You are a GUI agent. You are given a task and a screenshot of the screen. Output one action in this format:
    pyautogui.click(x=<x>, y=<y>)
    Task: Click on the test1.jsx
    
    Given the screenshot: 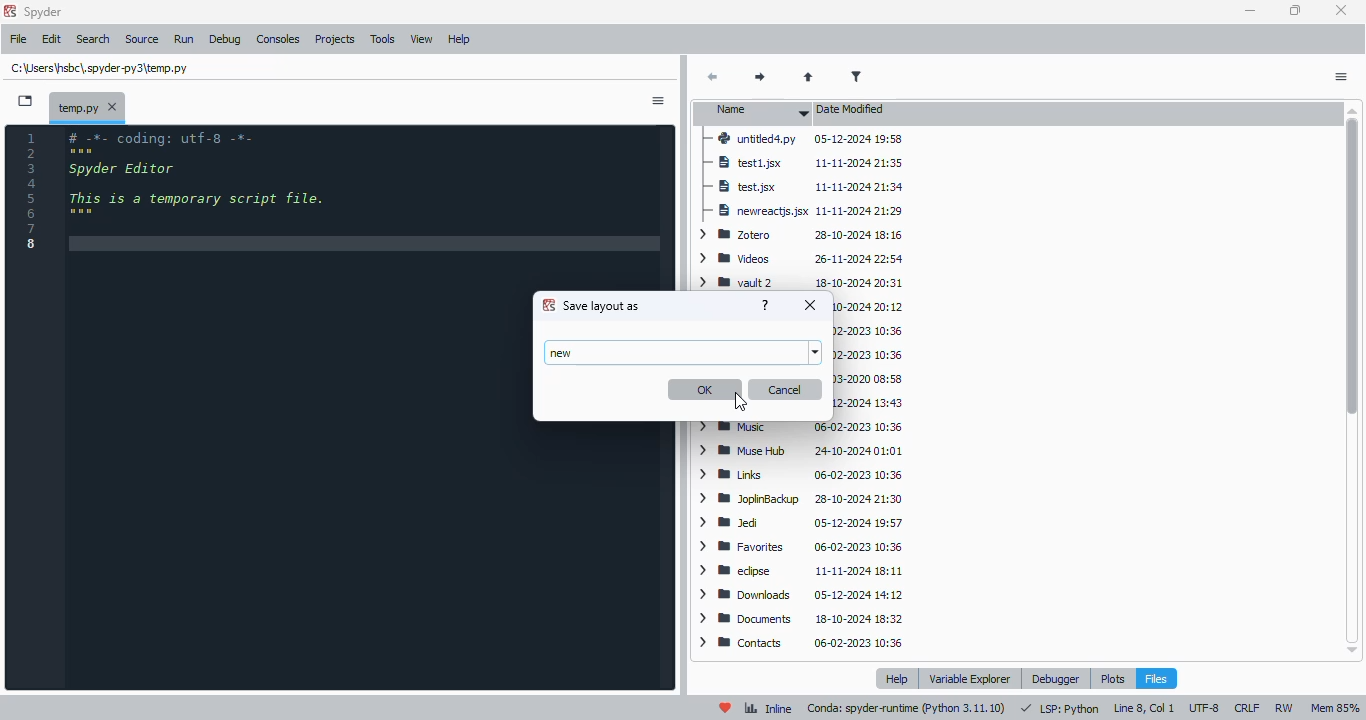 What is the action you would take?
    pyautogui.click(x=805, y=163)
    